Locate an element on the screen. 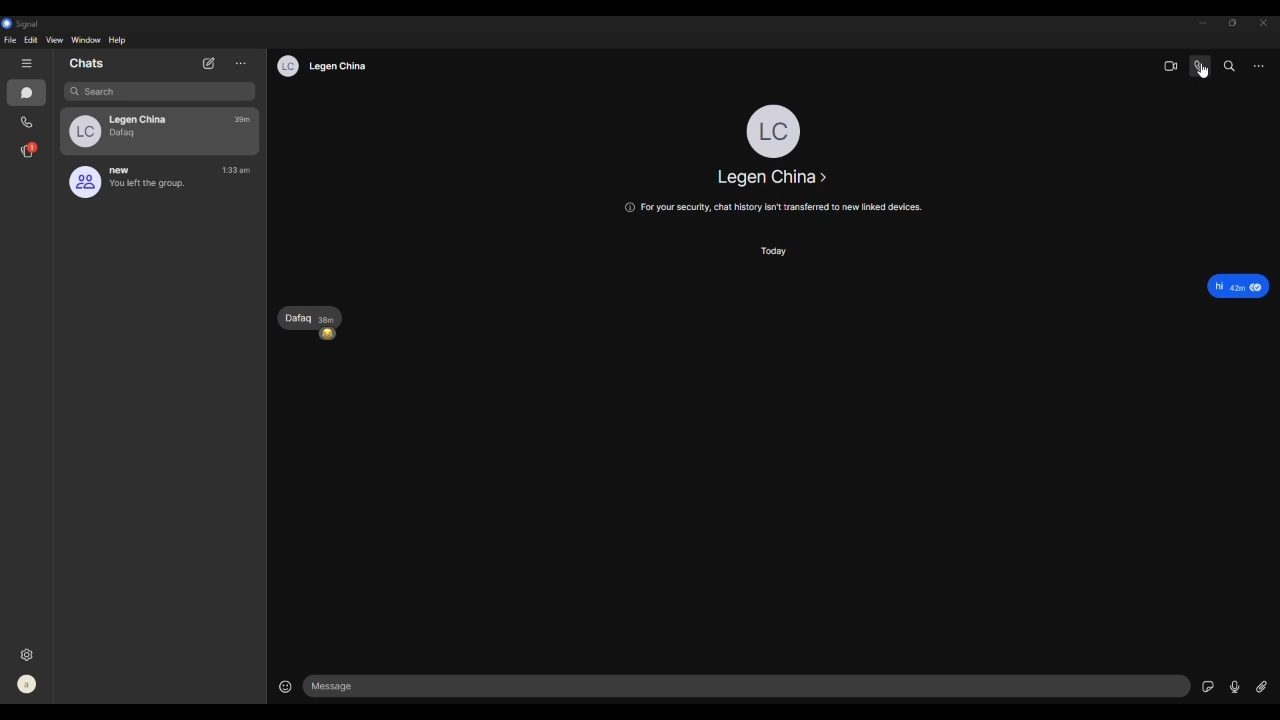 The image size is (1280, 720). profile is located at coordinates (29, 687).